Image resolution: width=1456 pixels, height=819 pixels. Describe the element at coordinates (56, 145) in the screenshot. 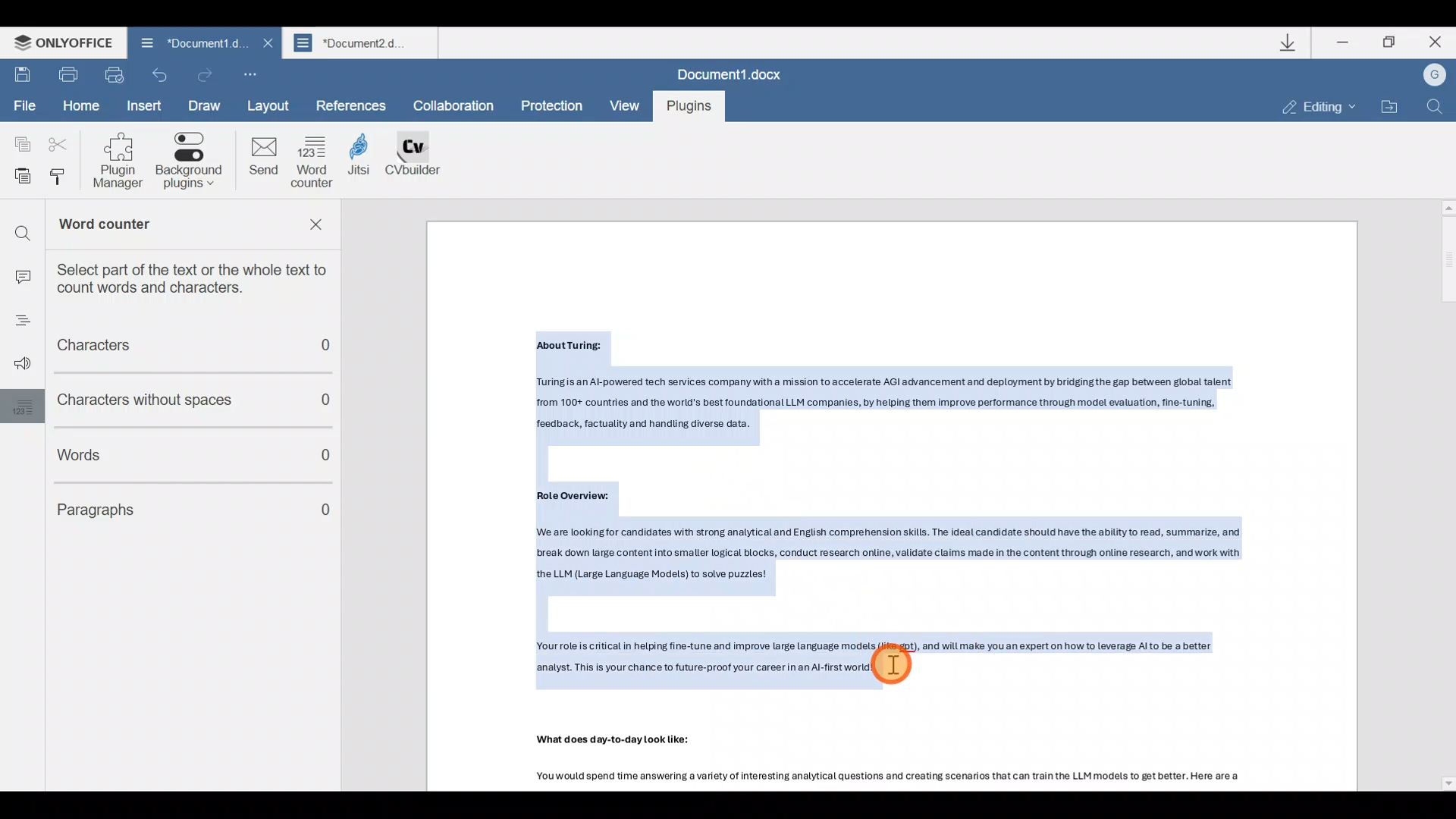

I see `Cut` at that location.